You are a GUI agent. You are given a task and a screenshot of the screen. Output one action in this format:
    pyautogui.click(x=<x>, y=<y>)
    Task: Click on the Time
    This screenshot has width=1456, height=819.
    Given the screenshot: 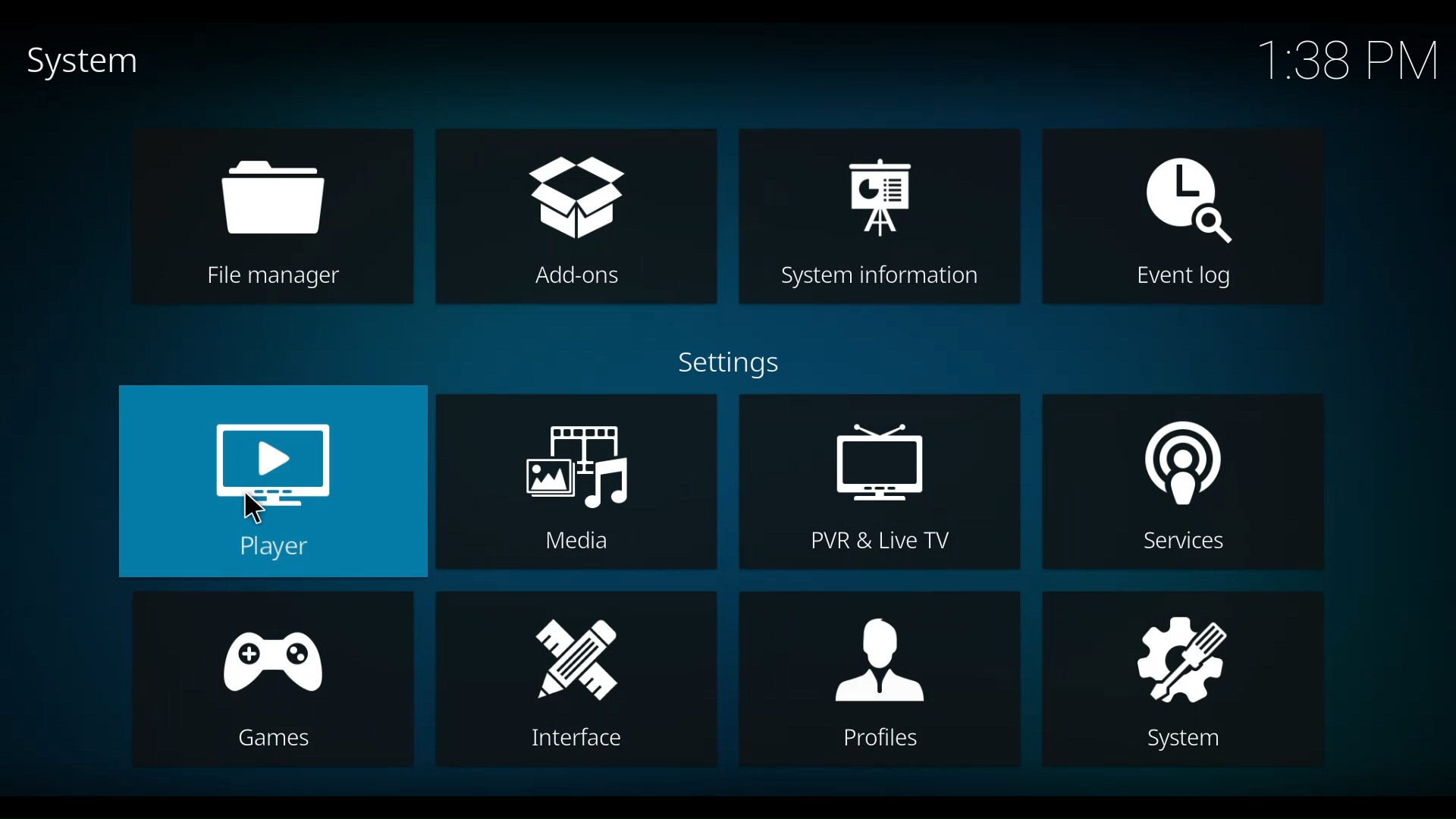 What is the action you would take?
    pyautogui.click(x=1348, y=63)
    